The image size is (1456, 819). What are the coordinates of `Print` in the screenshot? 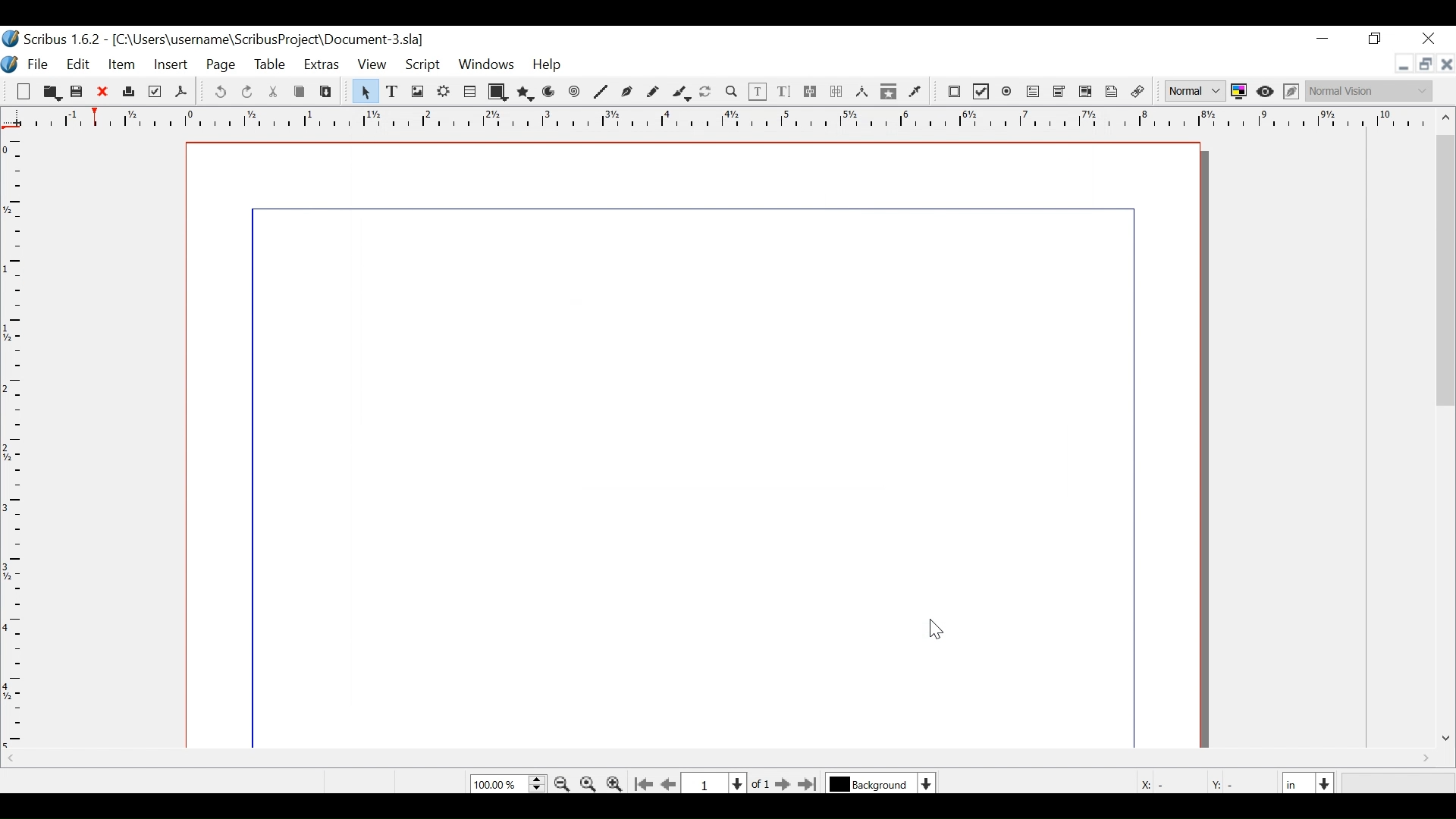 It's located at (128, 93).